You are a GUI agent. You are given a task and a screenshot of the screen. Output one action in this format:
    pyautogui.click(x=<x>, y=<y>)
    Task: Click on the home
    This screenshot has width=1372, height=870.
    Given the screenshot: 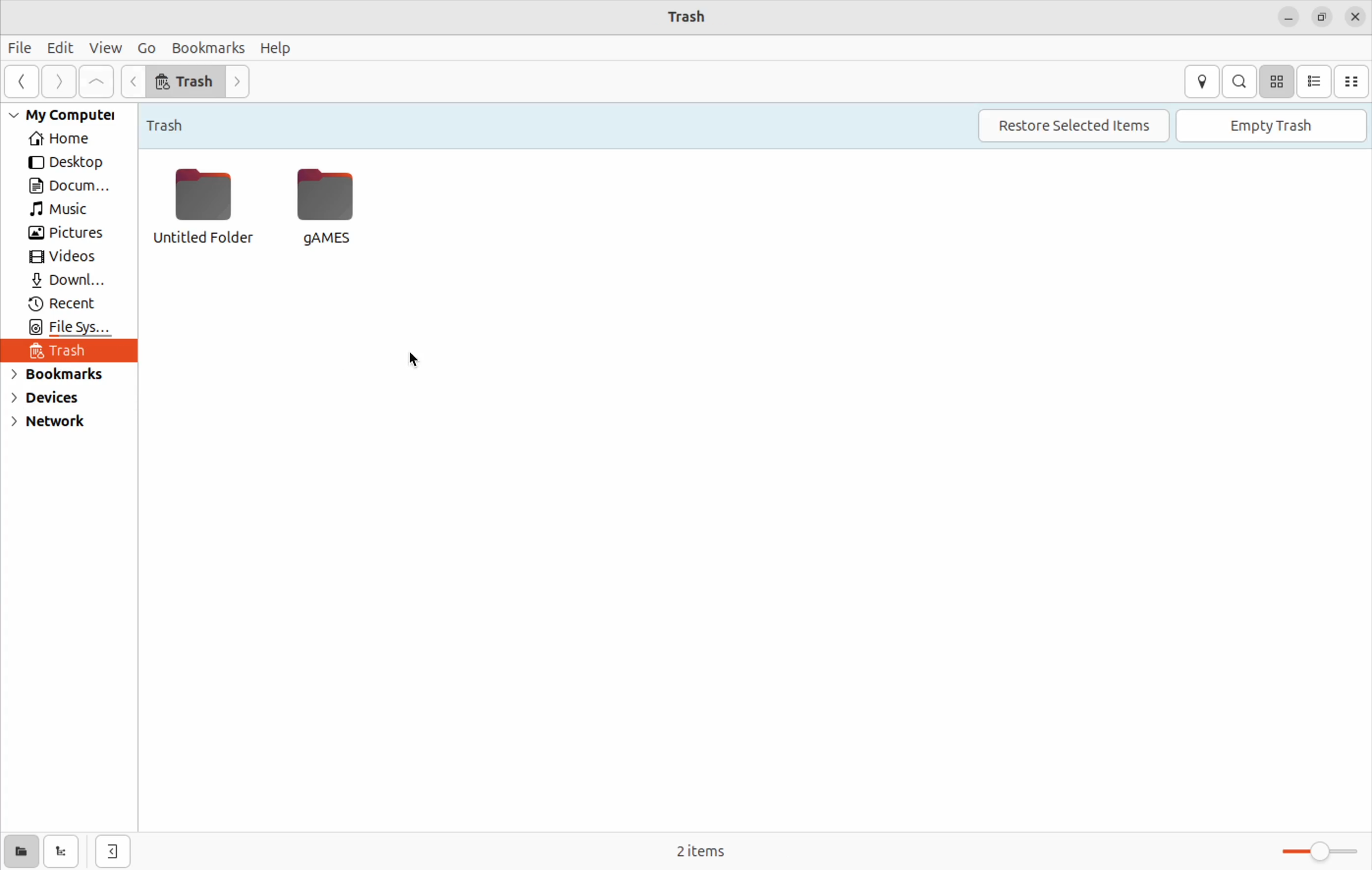 What is the action you would take?
    pyautogui.click(x=64, y=140)
    